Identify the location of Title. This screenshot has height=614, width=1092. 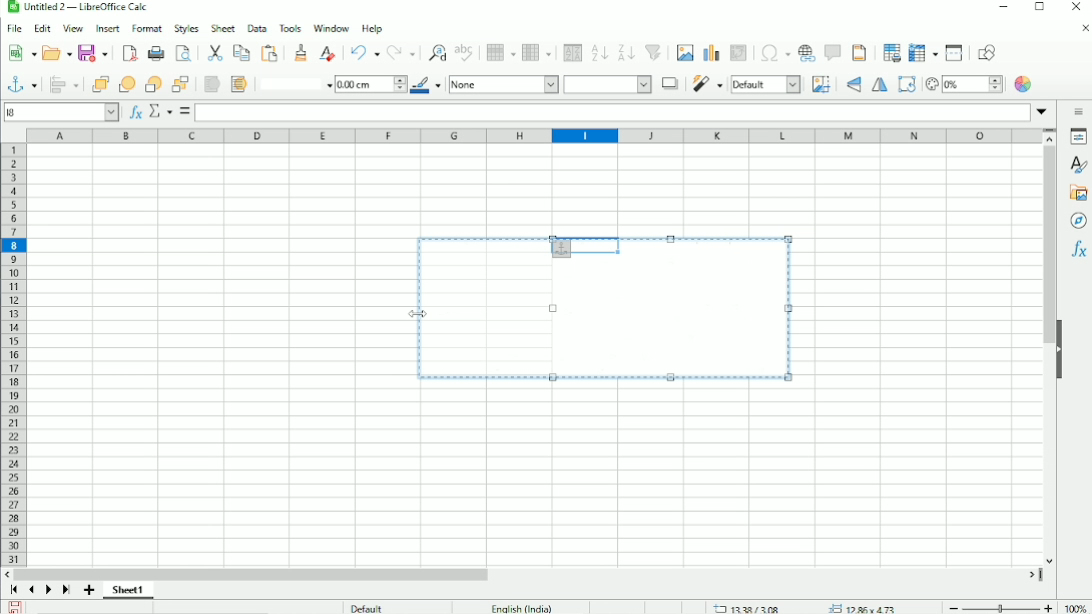
(79, 8).